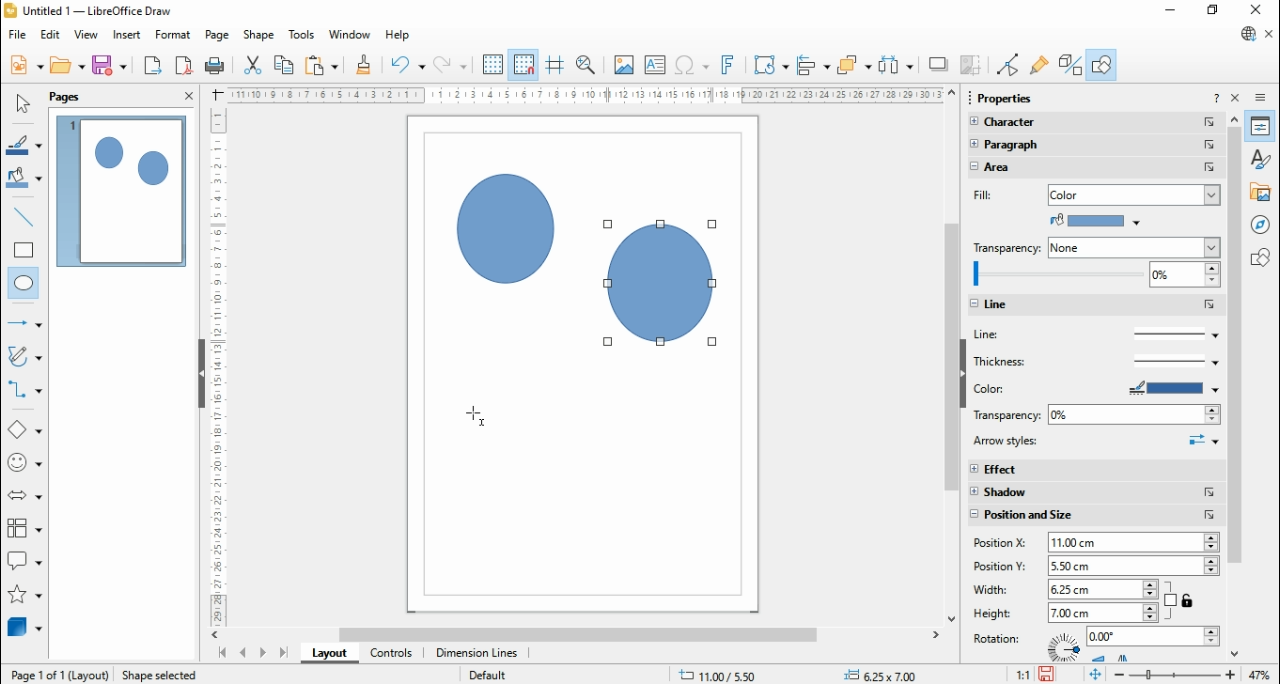  I want to click on line, so click(1093, 334).